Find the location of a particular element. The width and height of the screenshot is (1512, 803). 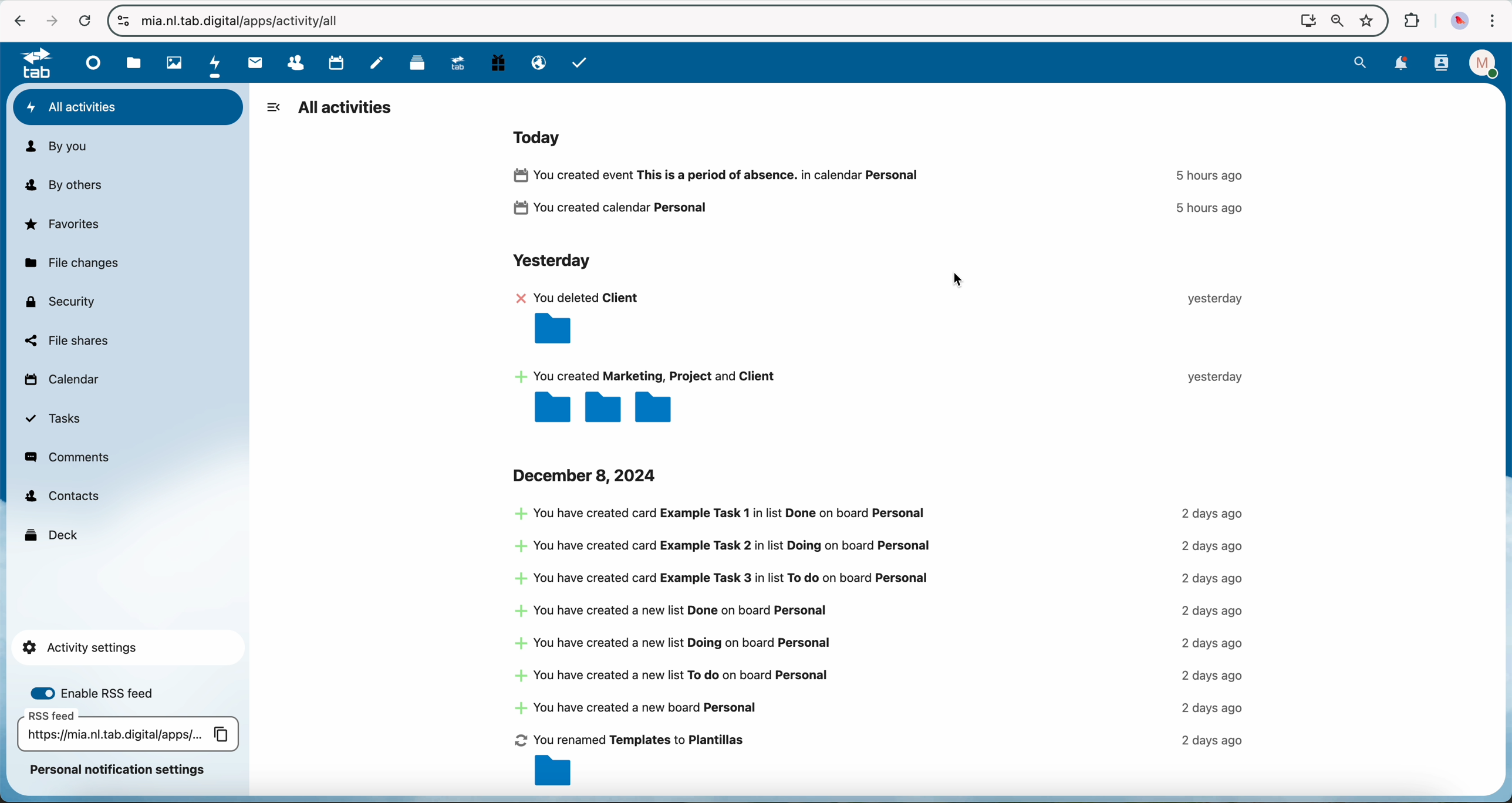

navigate foward is located at coordinates (50, 21).